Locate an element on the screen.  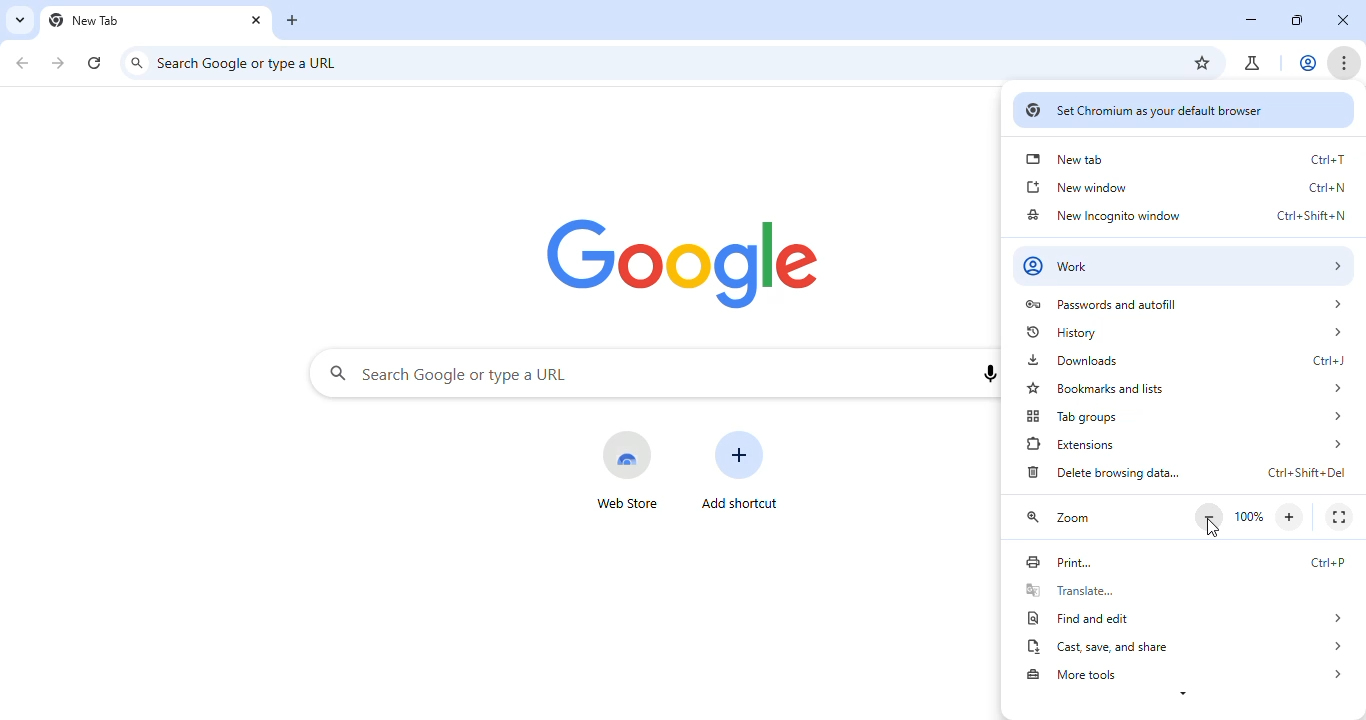
search icon is located at coordinates (329, 373).